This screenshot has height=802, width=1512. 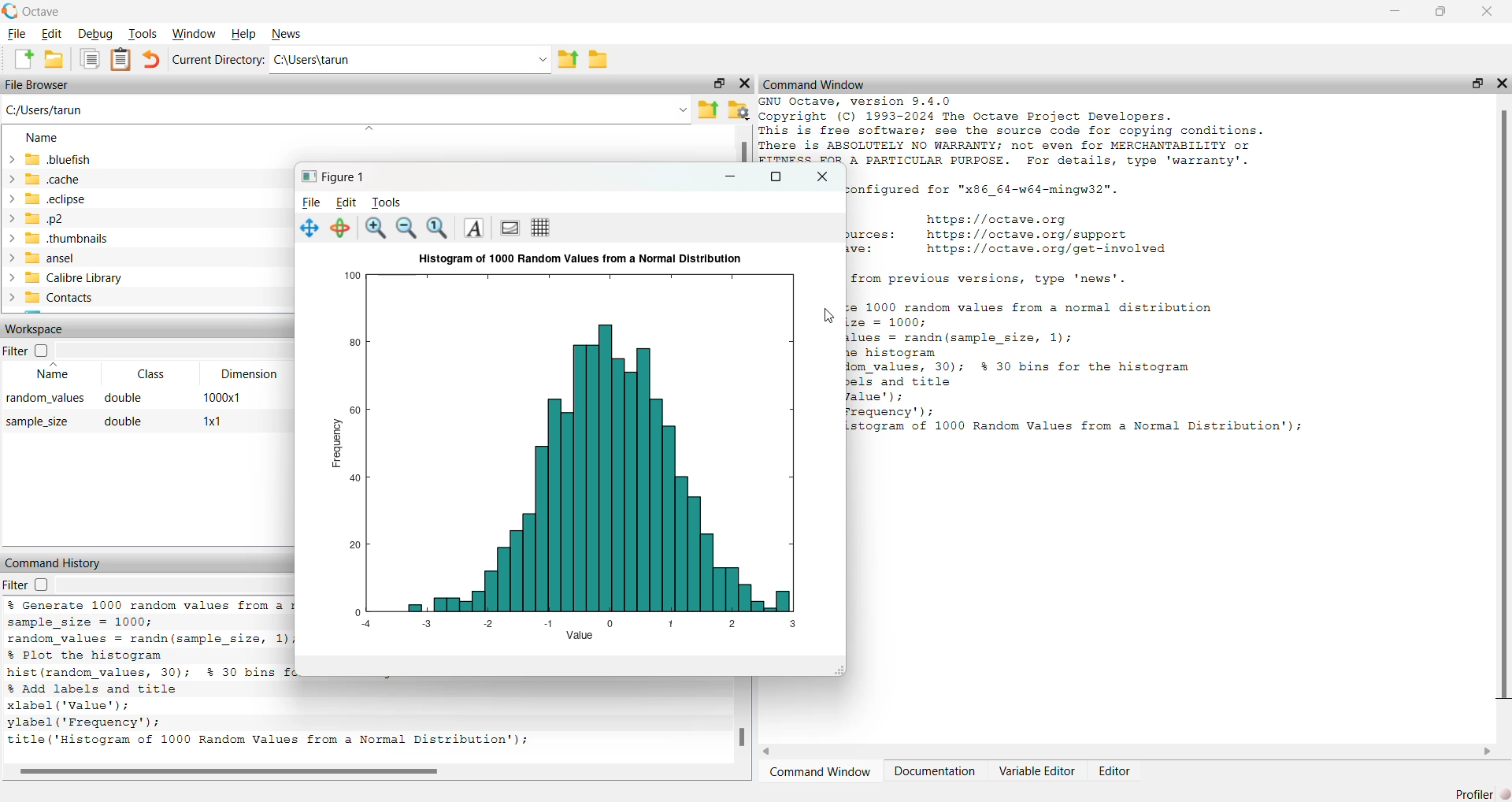 What do you see at coordinates (936, 772) in the screenshot?
I see `Documentation` at bounding box center [936, 772].